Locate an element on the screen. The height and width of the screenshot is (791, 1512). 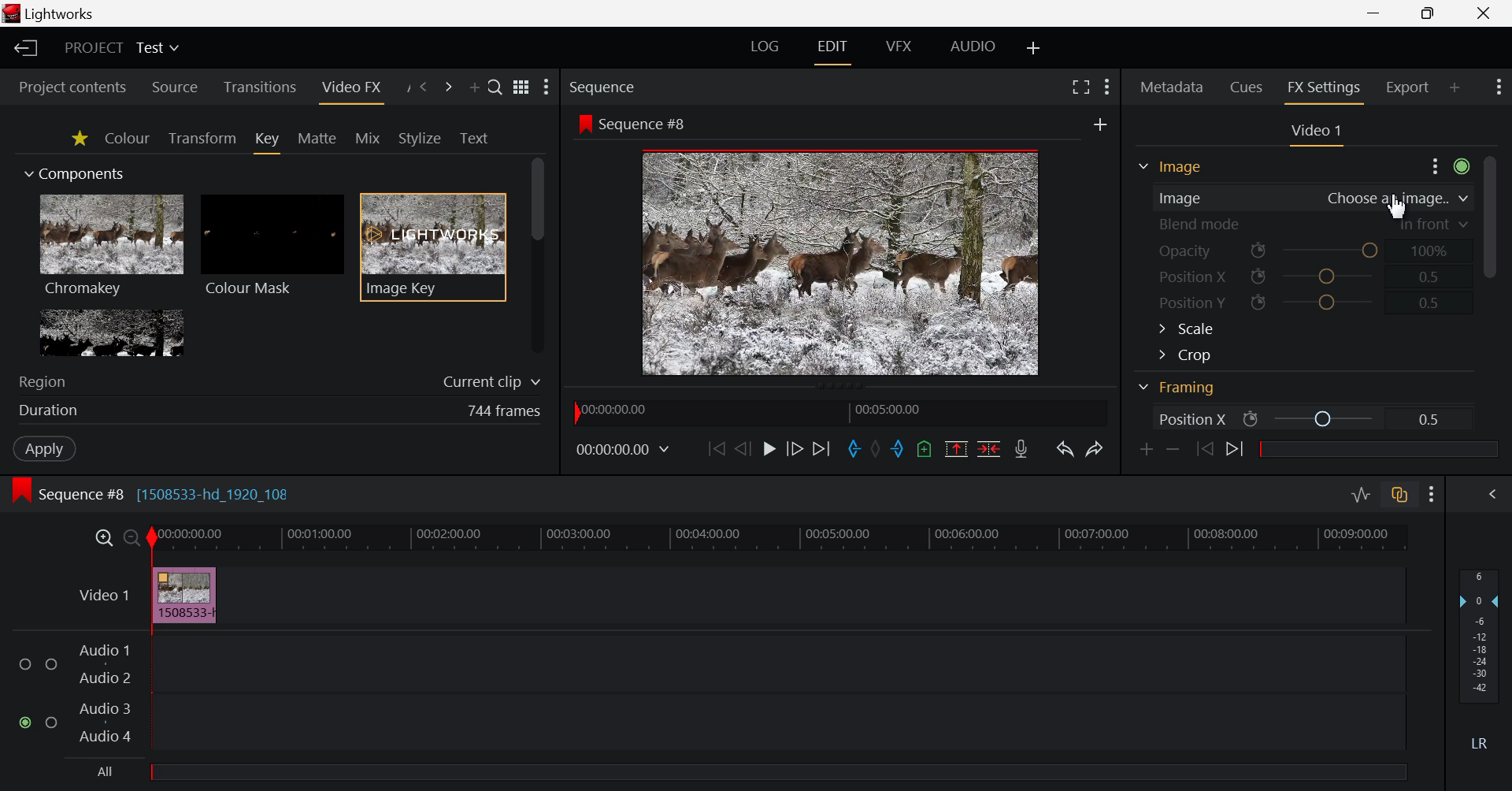
EDIT Layout is located at coordinates (832, 50).